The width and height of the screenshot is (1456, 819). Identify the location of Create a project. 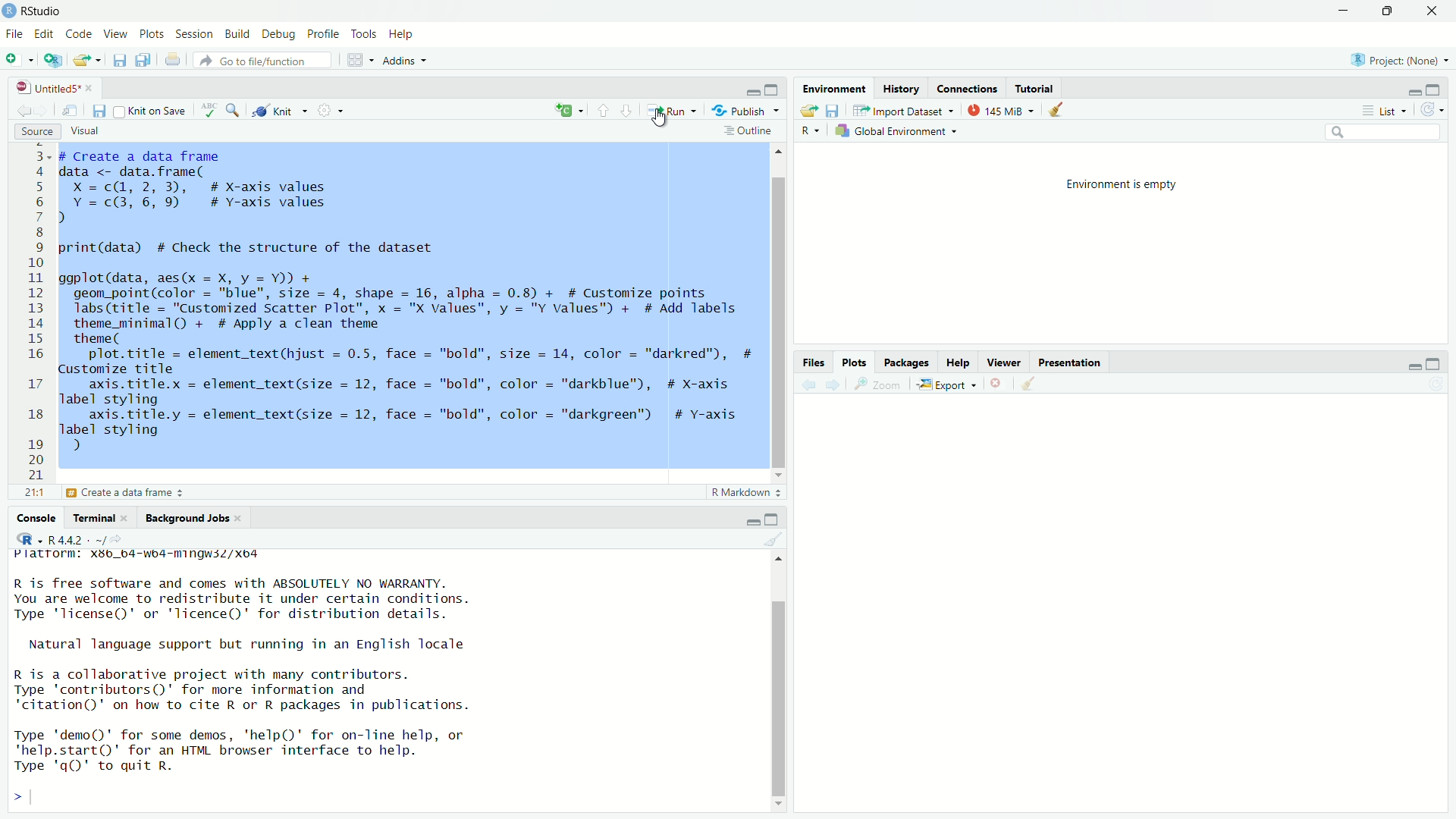
(55, 60).